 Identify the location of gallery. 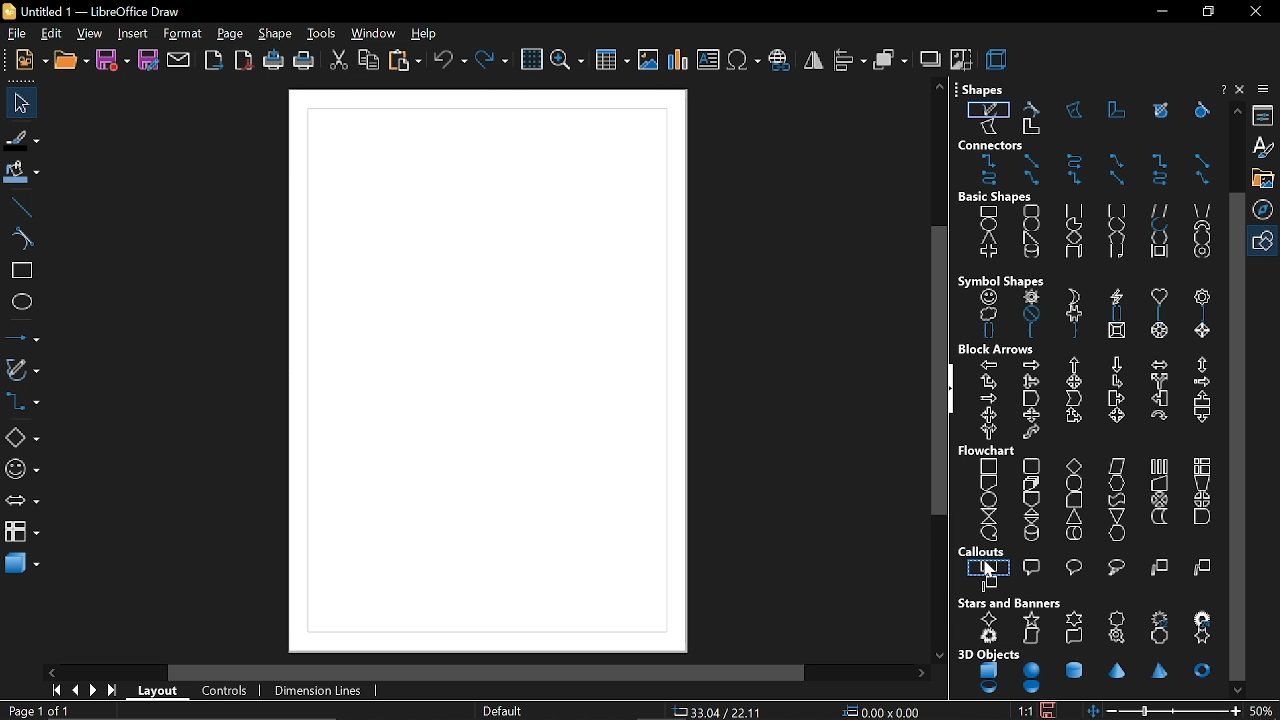
(1265, 178).